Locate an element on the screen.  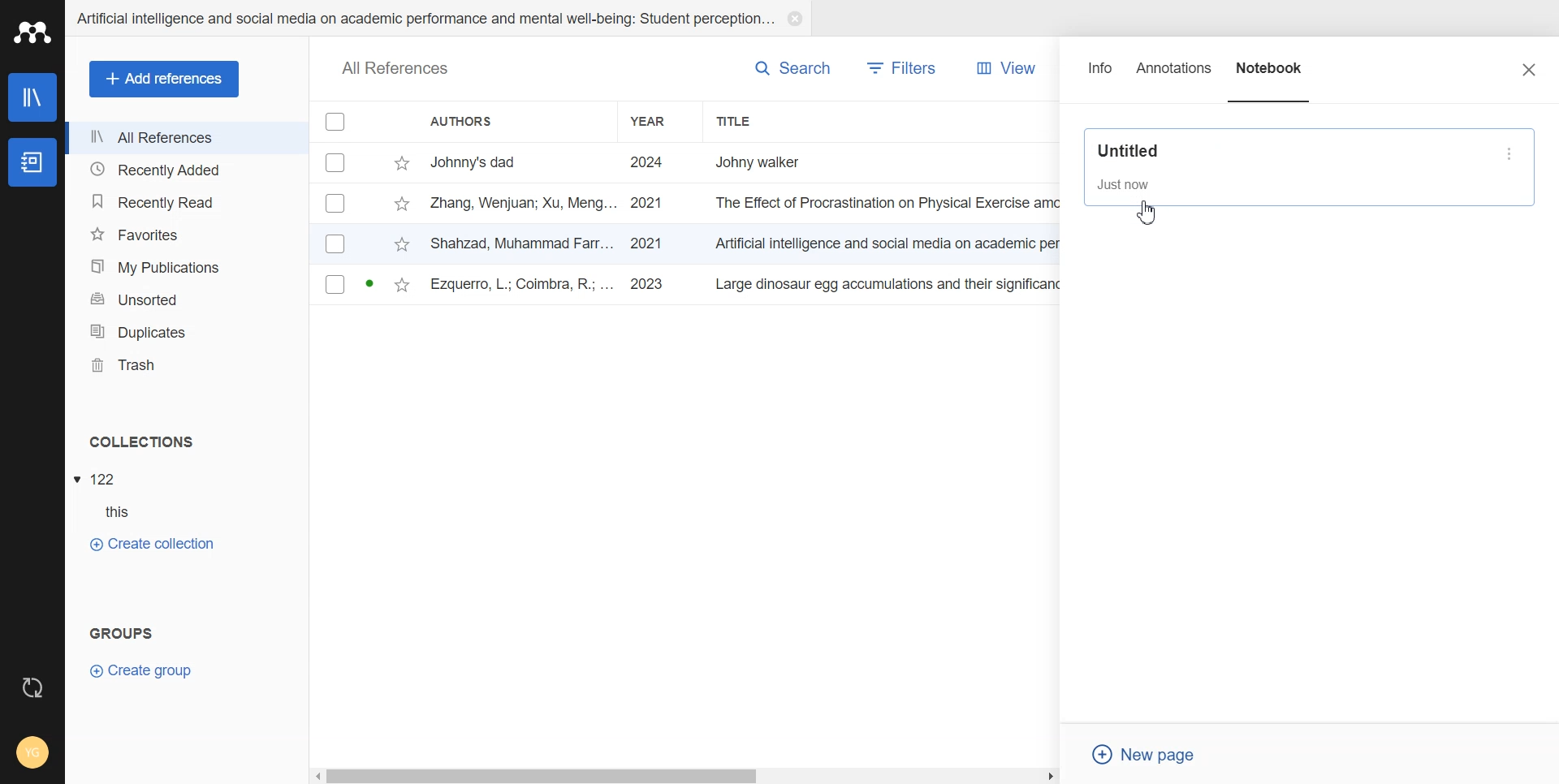
Close is located at coordinates (1529, 69).